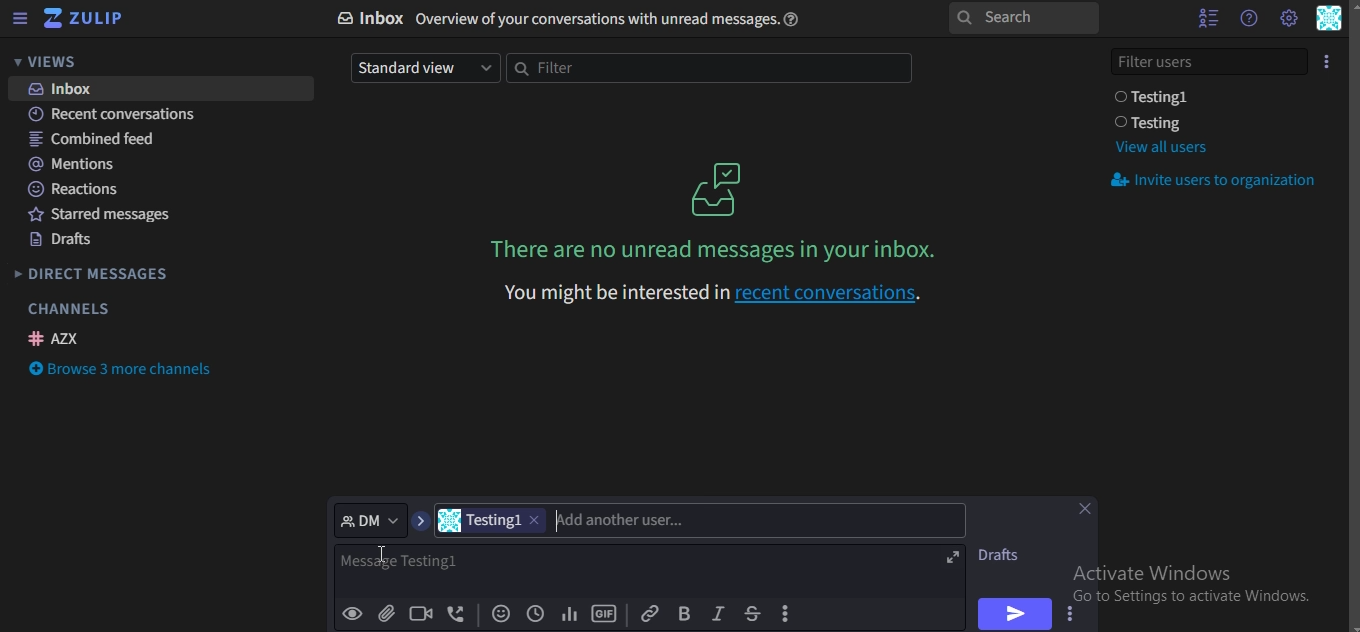  Describe the element at coordinates (494, 520) in the screenshot. I see `testing1` at that location.